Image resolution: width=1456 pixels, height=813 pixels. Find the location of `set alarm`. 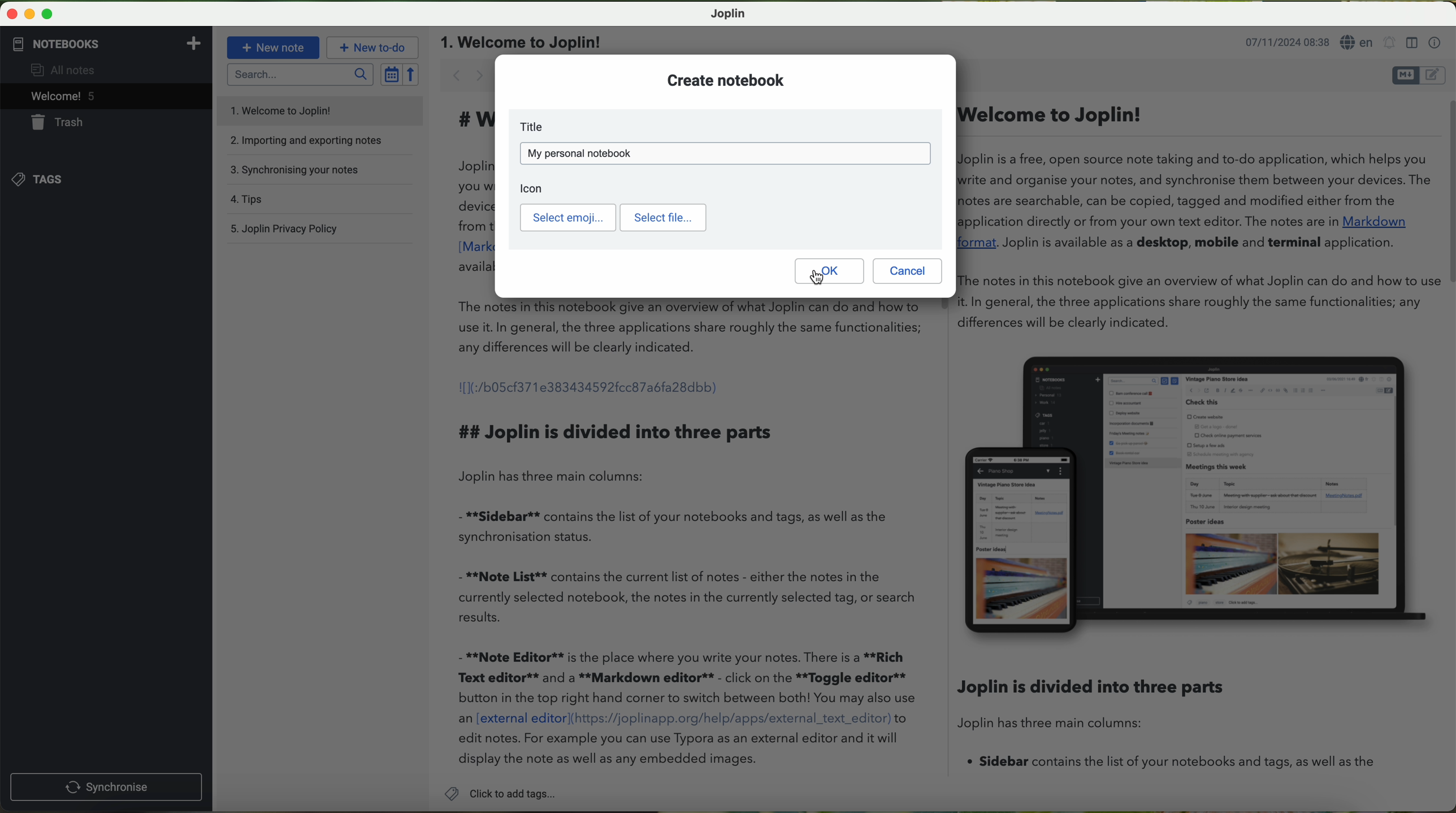

set alarm is located at coordinates (1389, 45).